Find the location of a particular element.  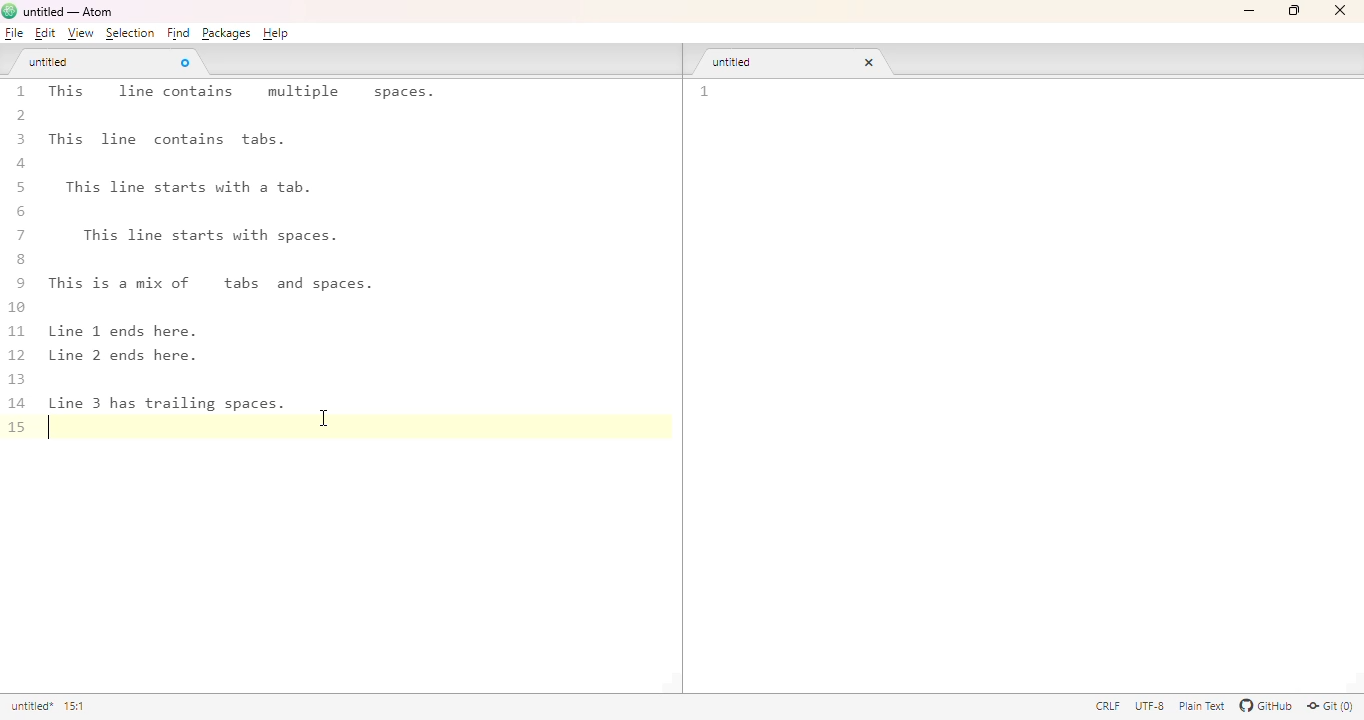

line number is located at coordinates (705, 92).